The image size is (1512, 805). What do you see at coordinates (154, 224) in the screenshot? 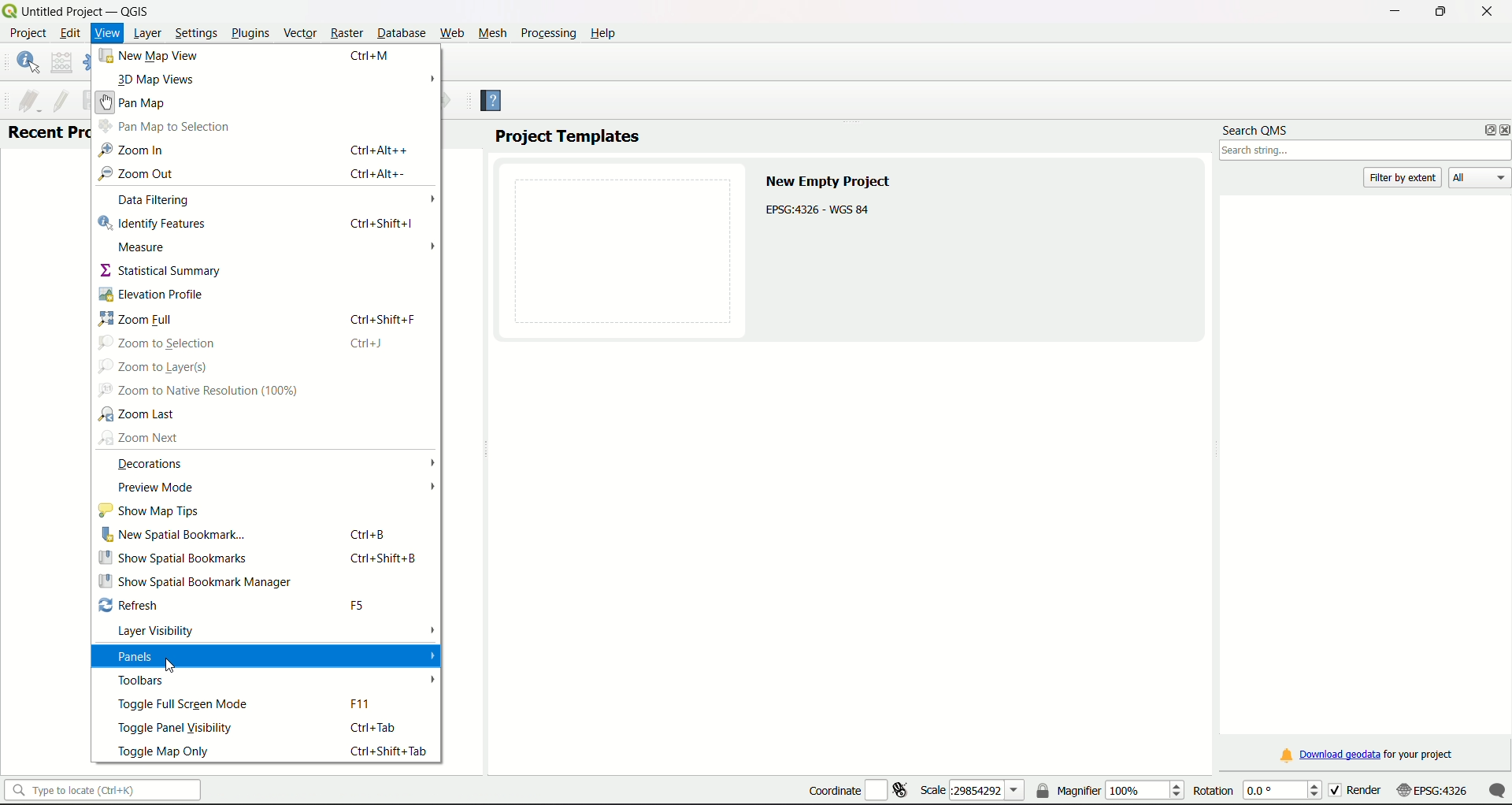
I see `identify features` at bounding box center [154, 224].